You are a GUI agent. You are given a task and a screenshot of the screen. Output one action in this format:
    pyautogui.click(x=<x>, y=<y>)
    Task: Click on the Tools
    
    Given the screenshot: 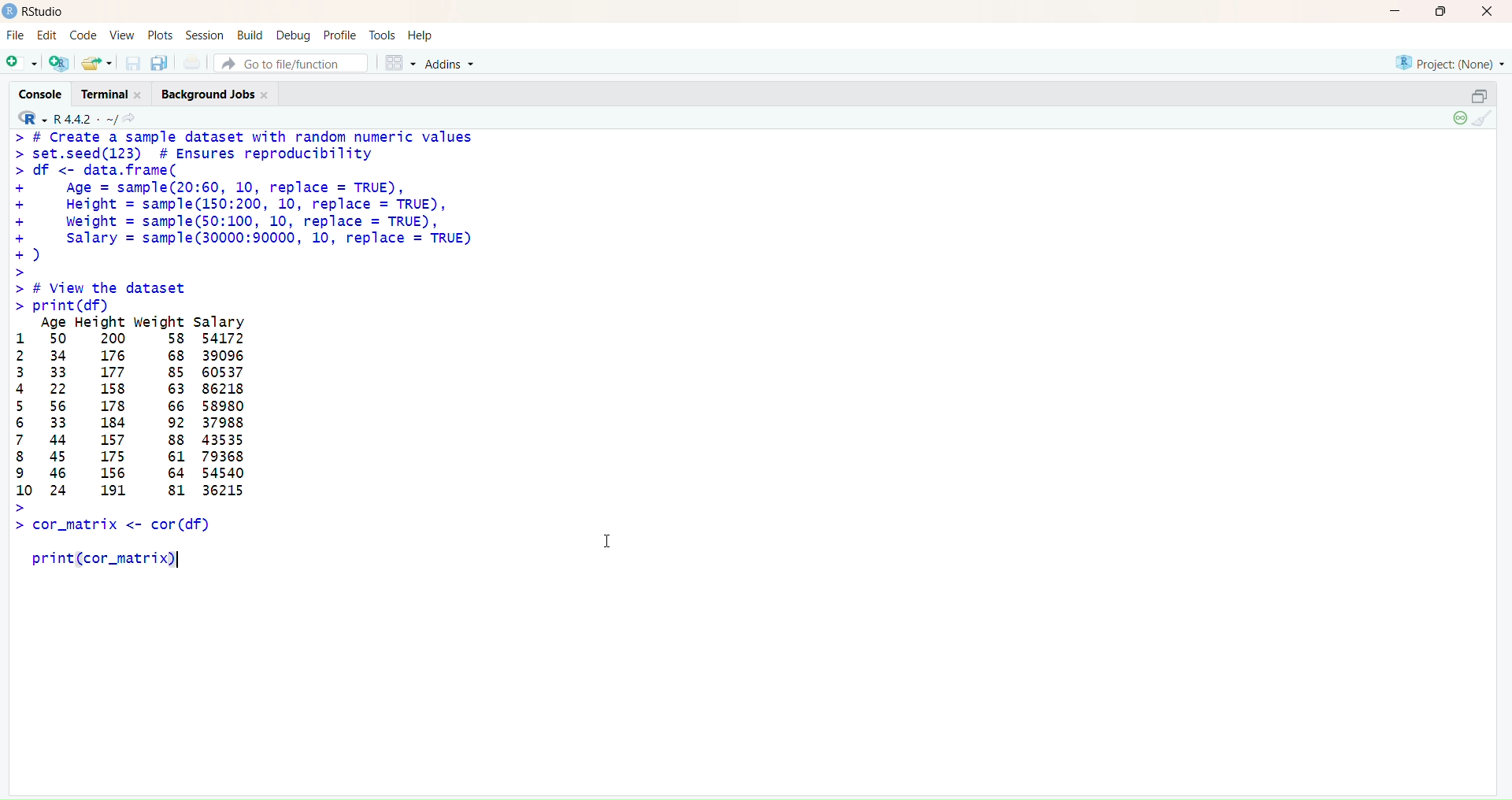 What is the action you would take?
    pyautogui.click(x=381, y=34)
    